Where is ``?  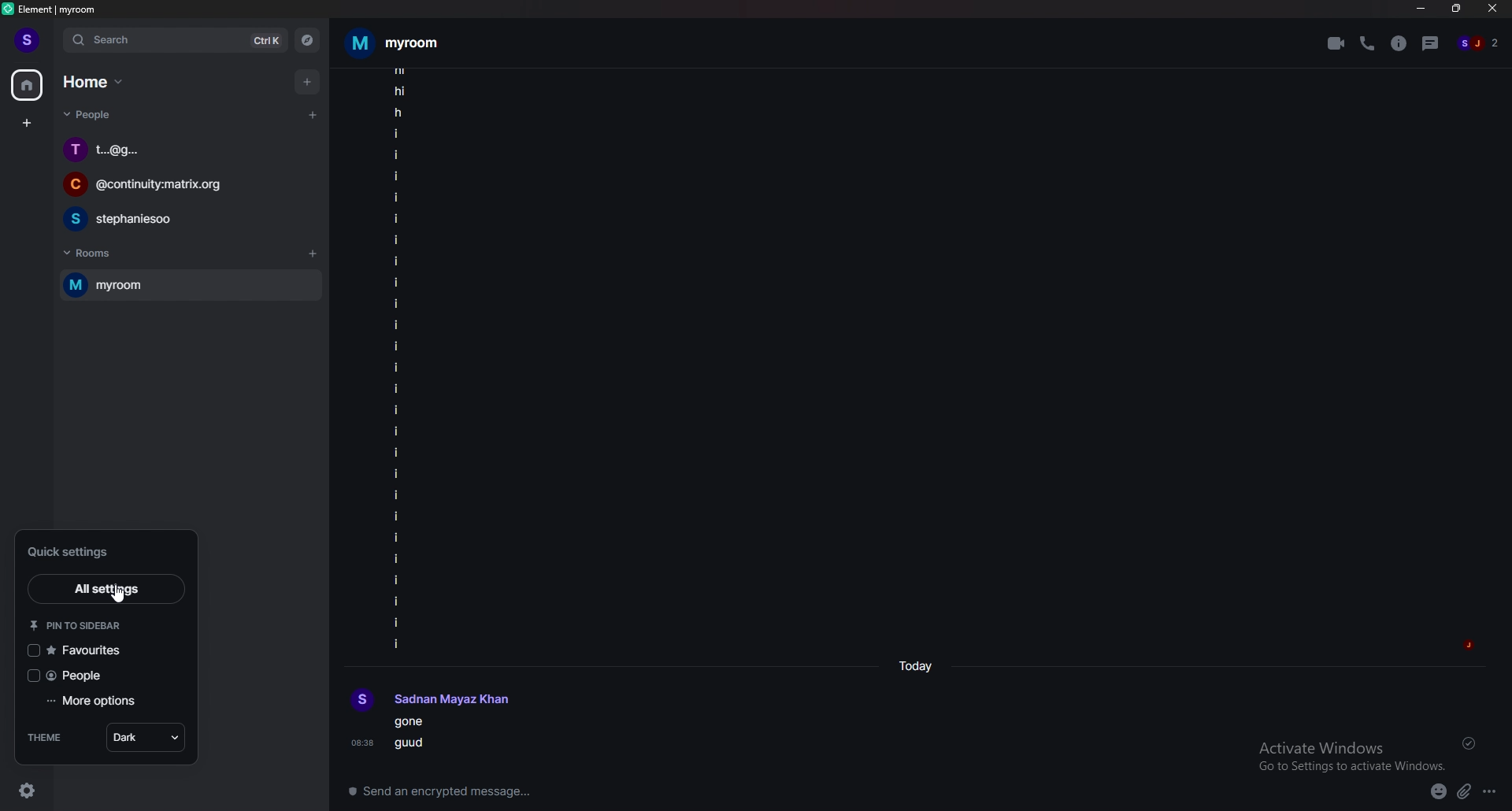  is located at coordinates (395, 736).